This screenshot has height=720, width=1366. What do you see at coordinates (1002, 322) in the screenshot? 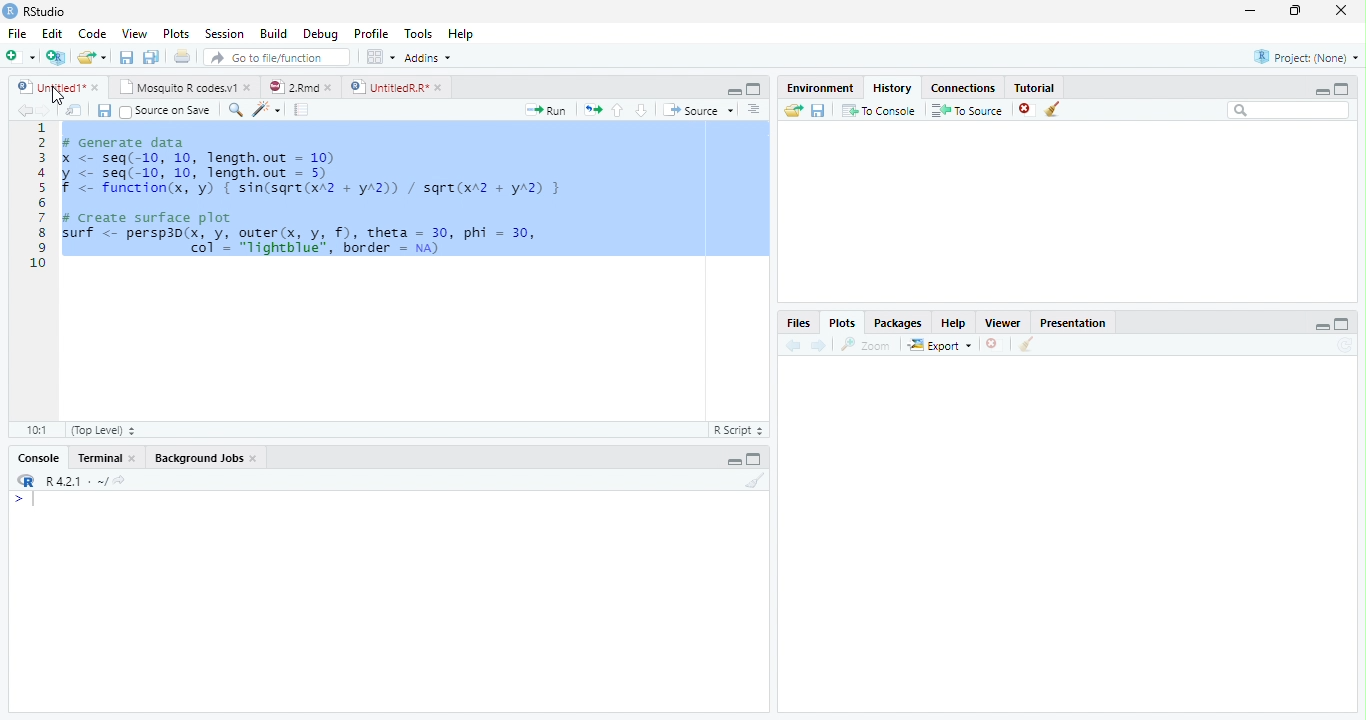
I see `Viewer` at bounding box center [1002, 322].